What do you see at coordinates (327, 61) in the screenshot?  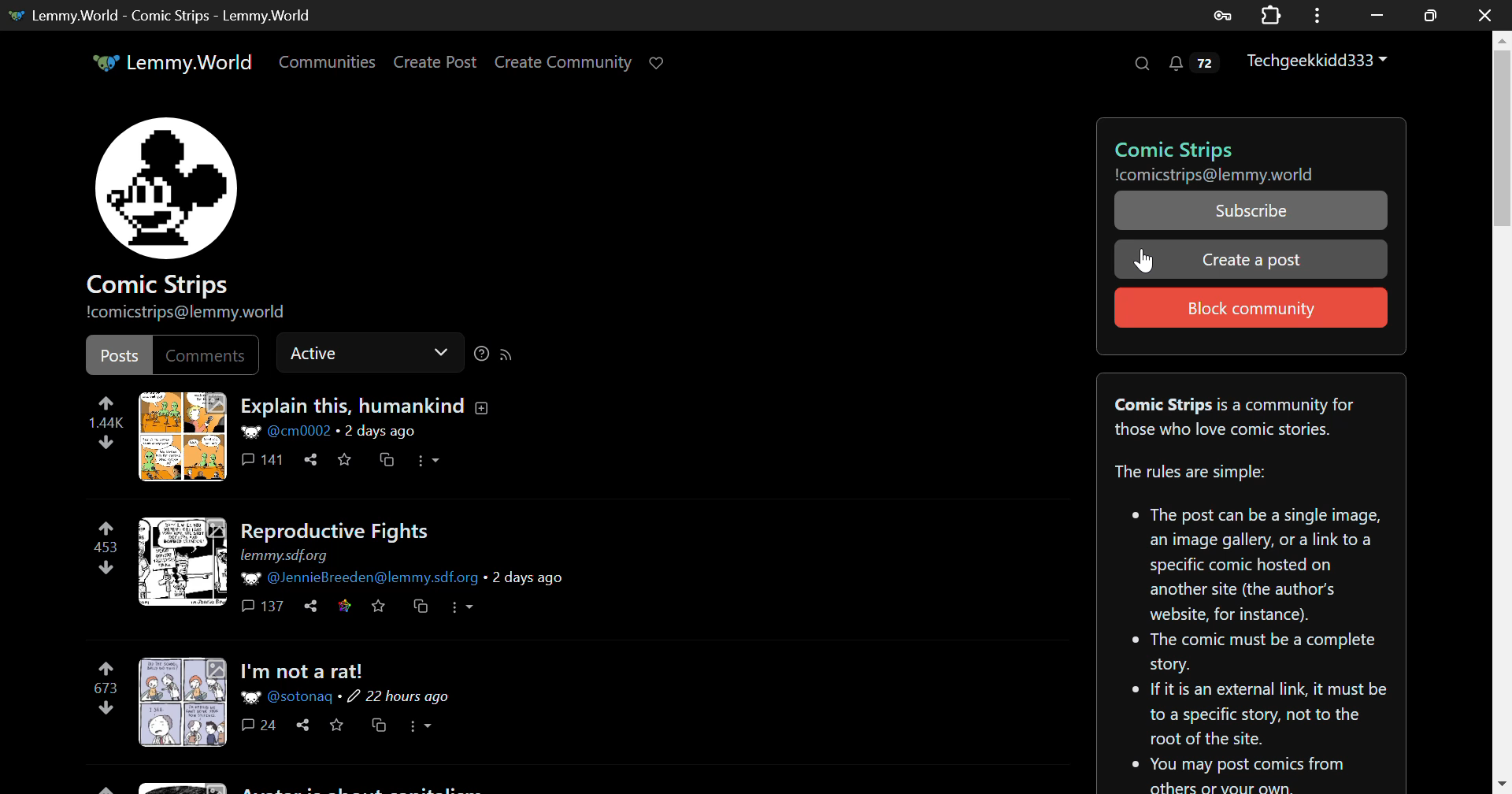 I see `Communities Page Hyperlink` at bounding box center [327, 61].